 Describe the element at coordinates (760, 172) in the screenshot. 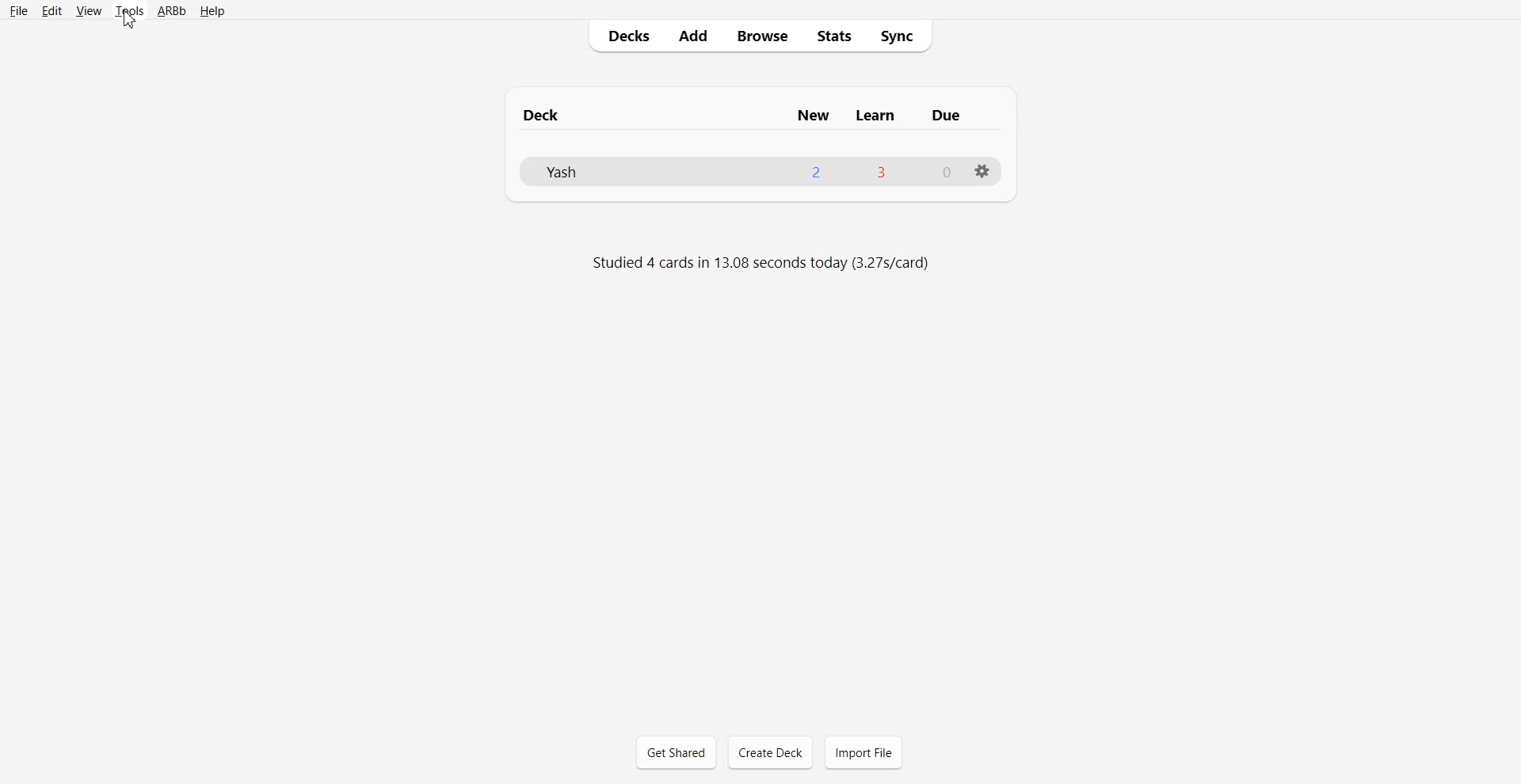

I see `Deck File` at that location.